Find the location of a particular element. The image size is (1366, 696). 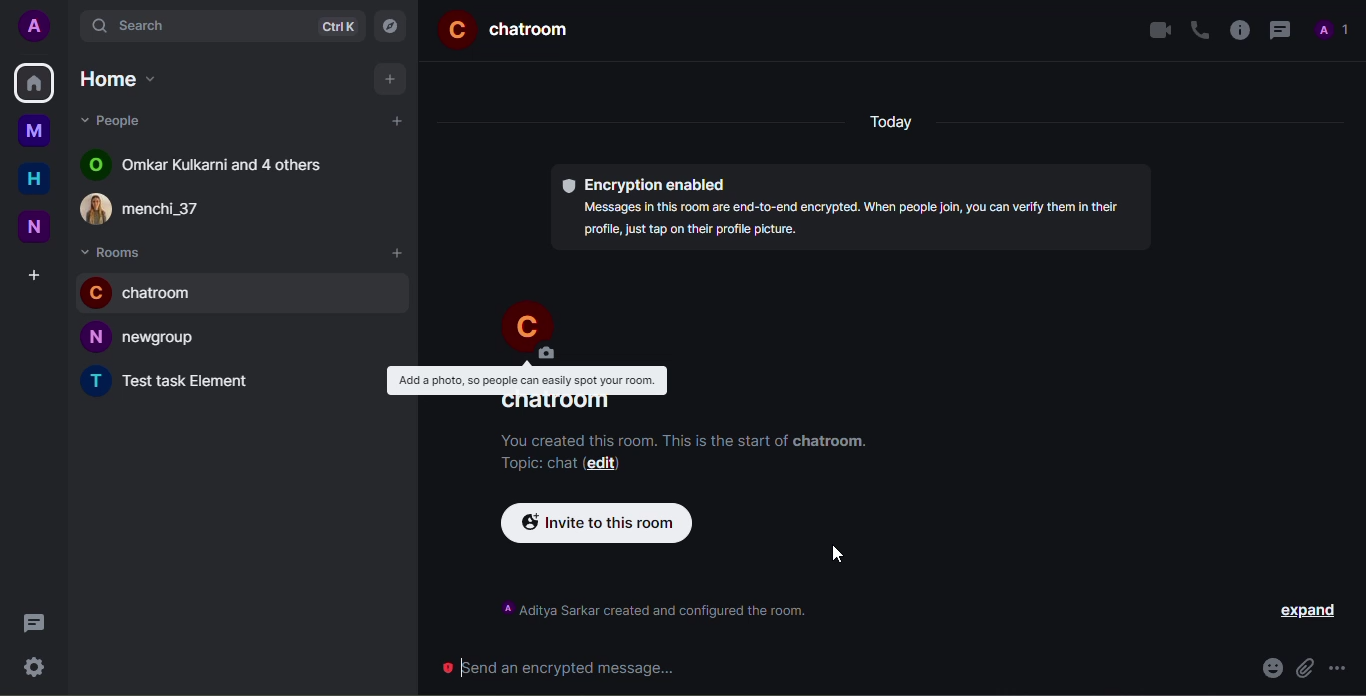

add is located at coordinates (390, 78).